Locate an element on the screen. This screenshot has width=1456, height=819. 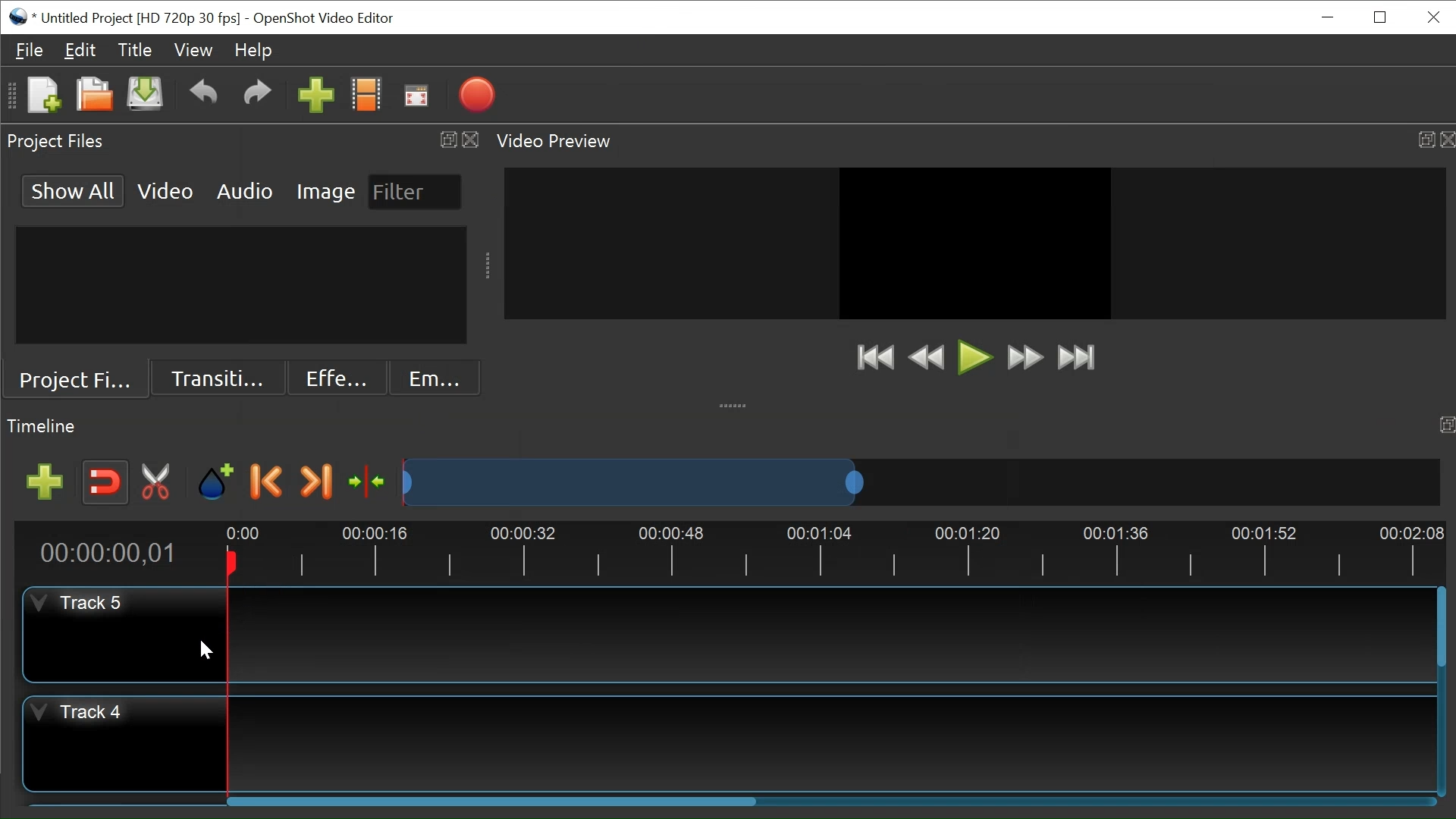
Previous Marker is located at coordinates (267, 481).